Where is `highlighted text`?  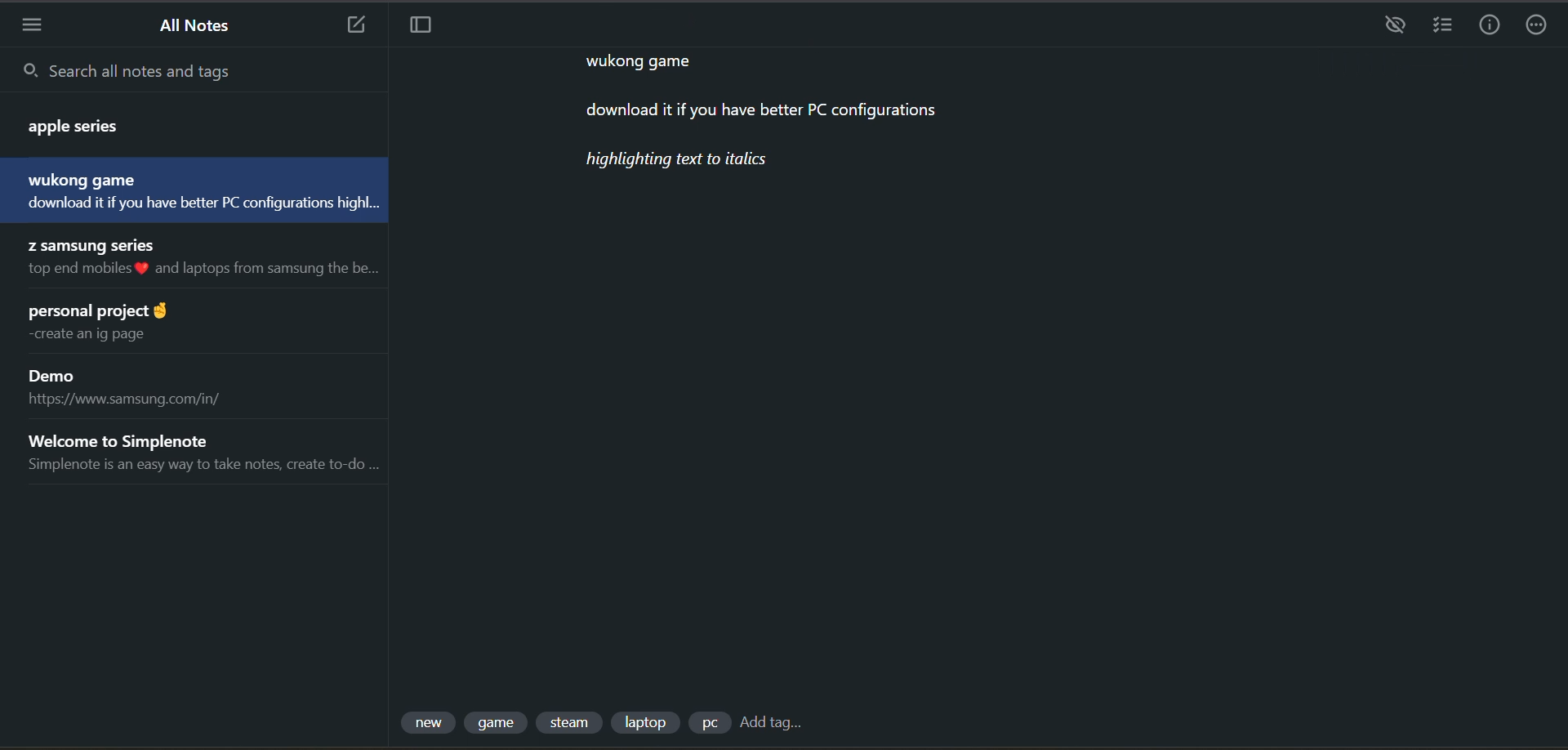
highlighted text is located at coordinates (680, 163).